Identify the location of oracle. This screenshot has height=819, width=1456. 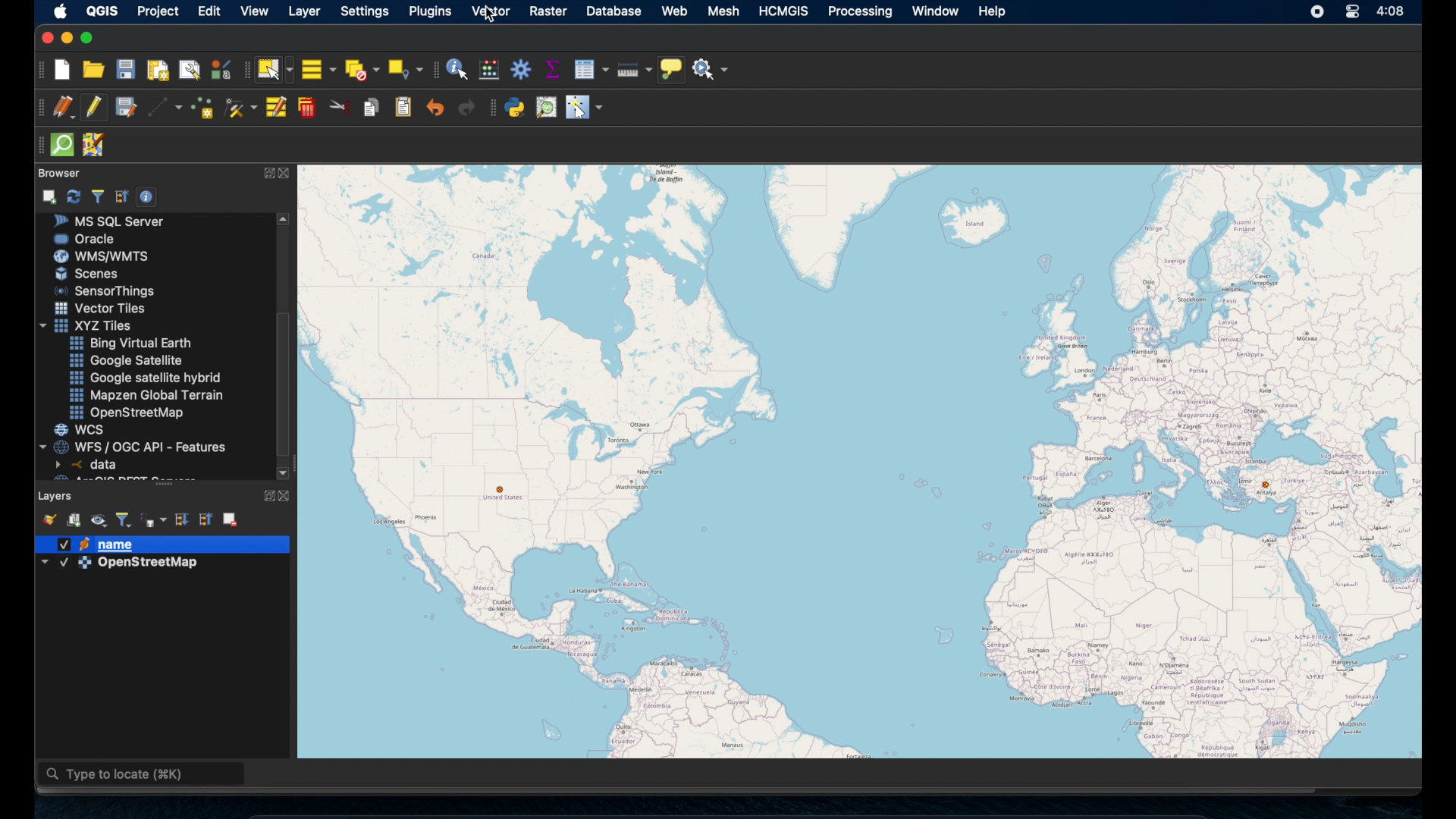
(86, 238).